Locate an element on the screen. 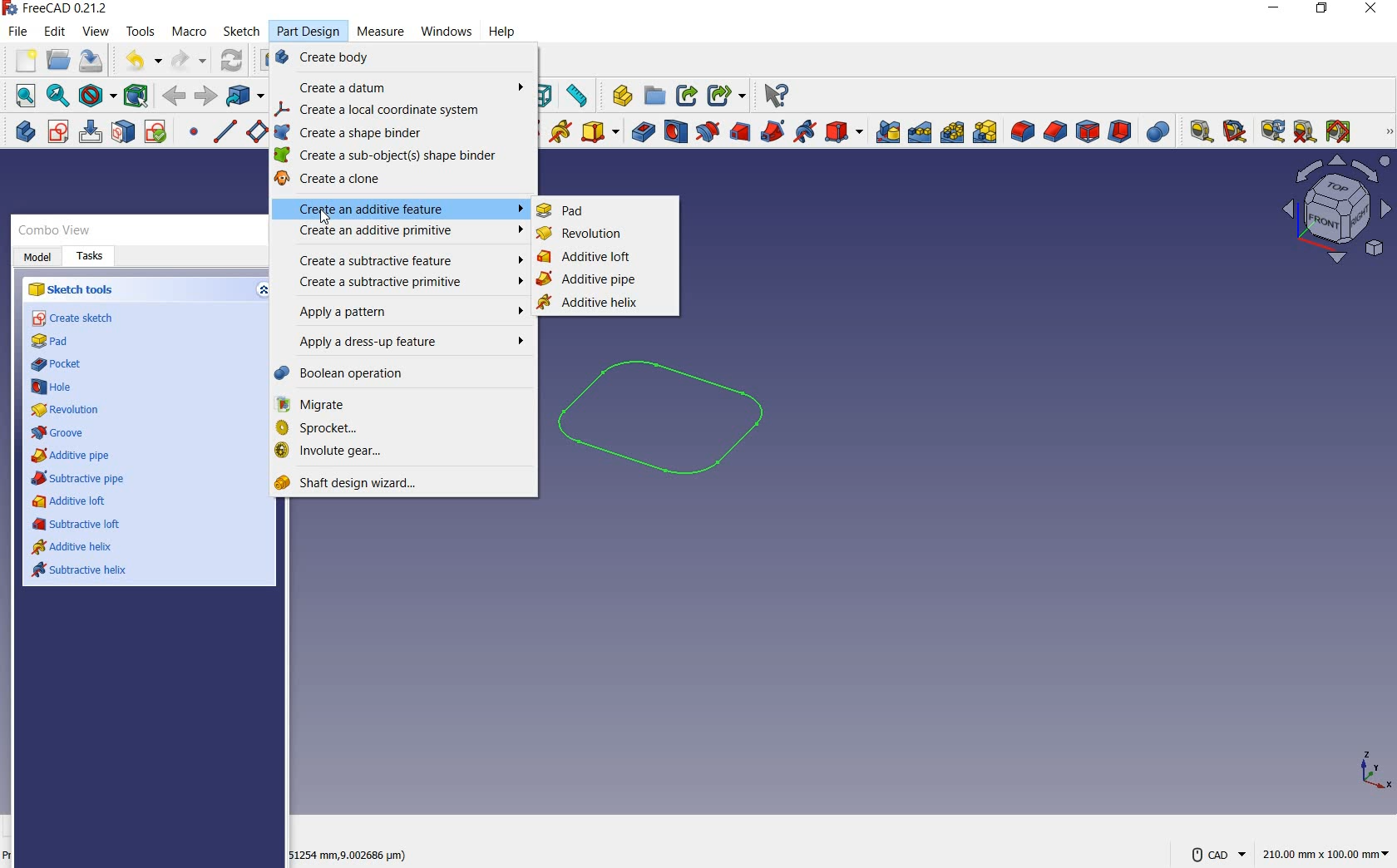 This screenshot has width=1397, height=868. create a datum line is located at coordinates (225, 131).